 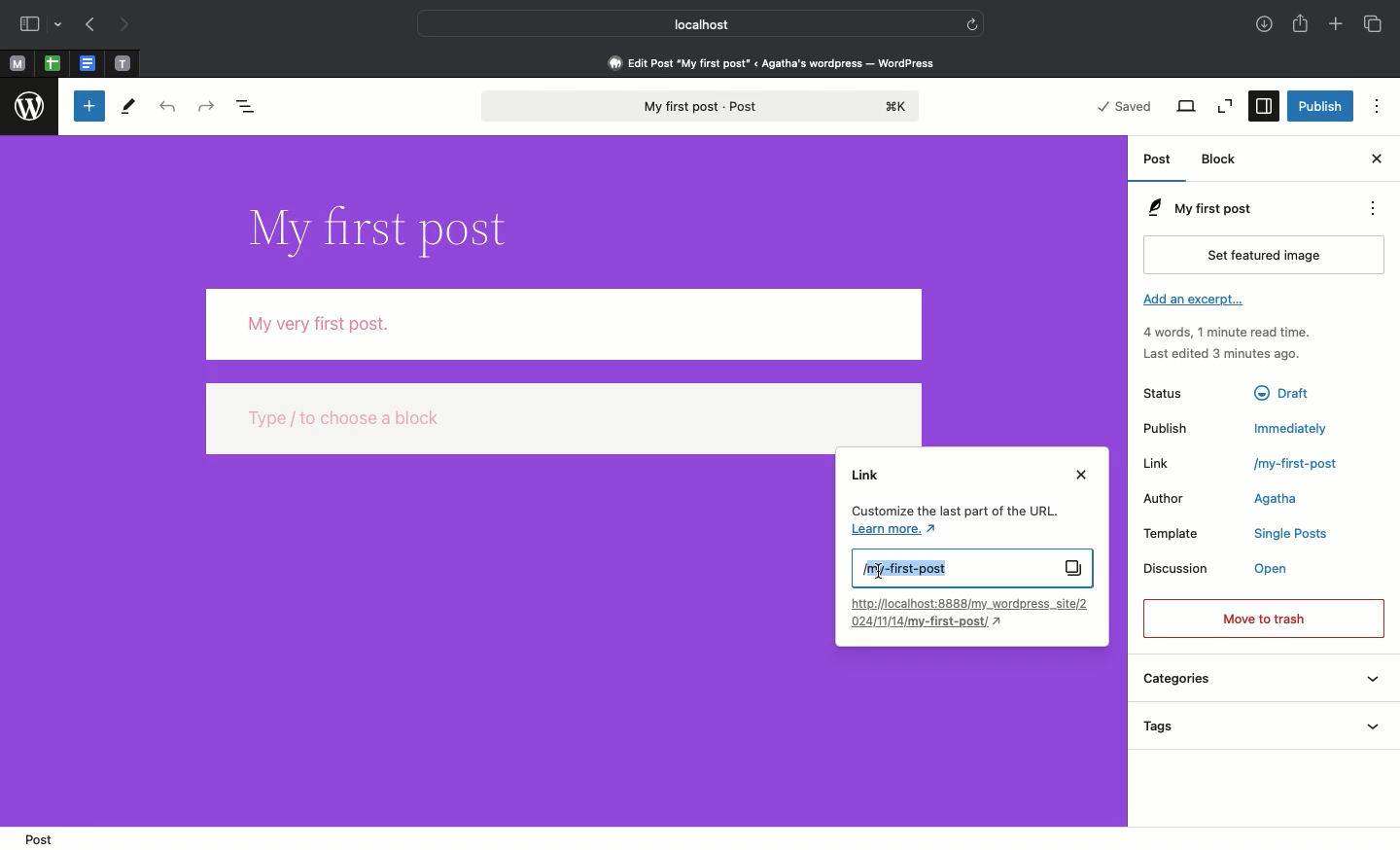 I want to click on Author, so click(x=1161, y=498).